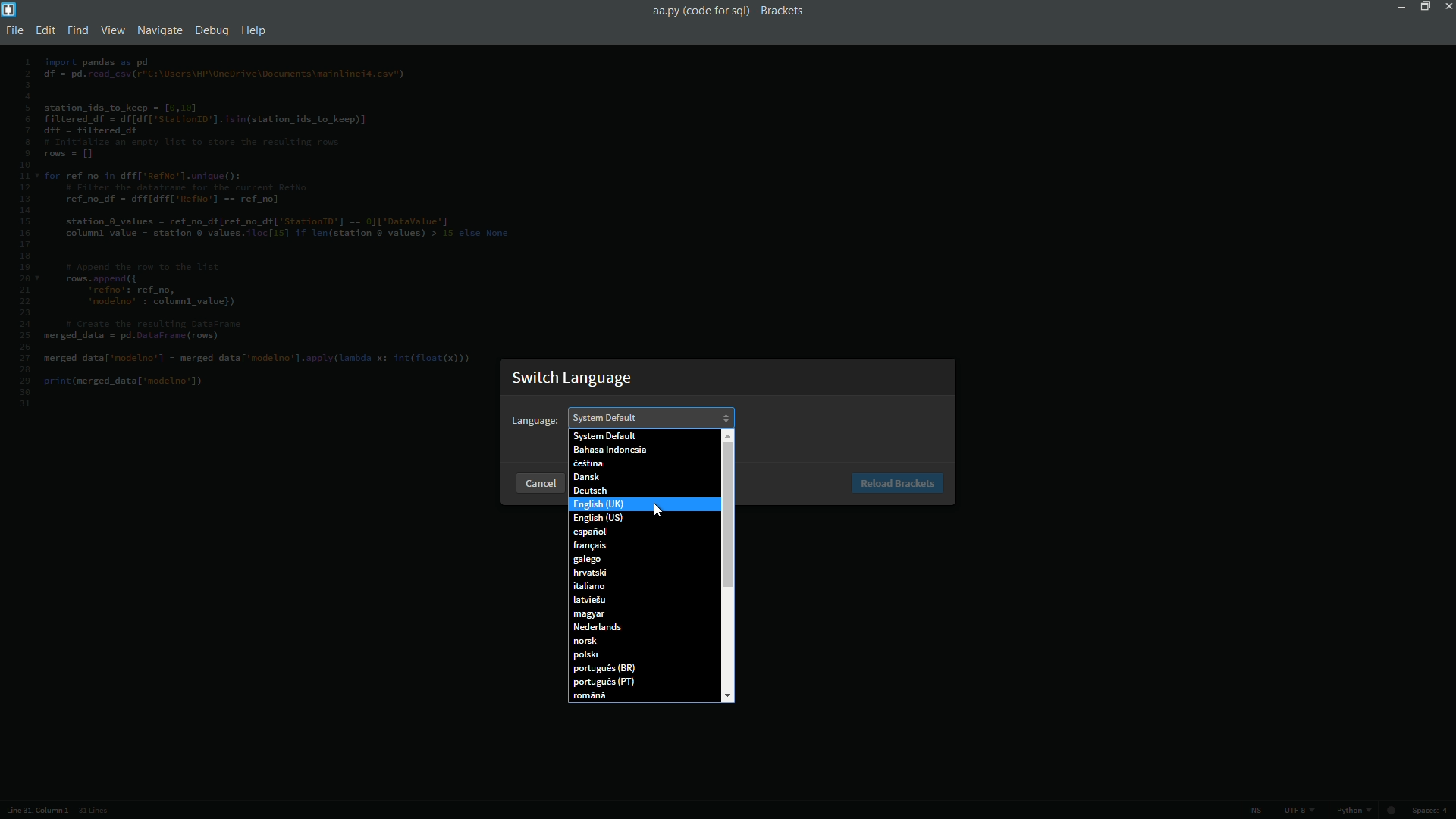 The height and width of the screenshot is (819, 1456). I want to click on help menu, so click(256, 31).